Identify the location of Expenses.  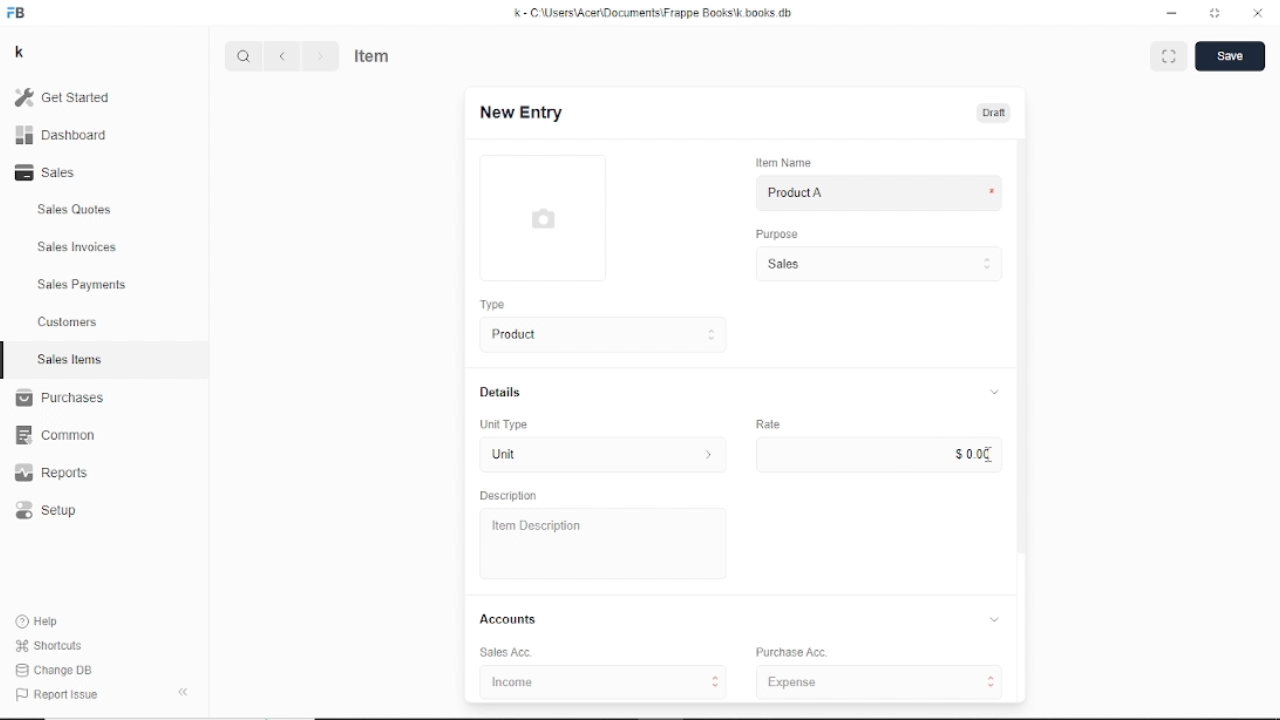
(884, 682).